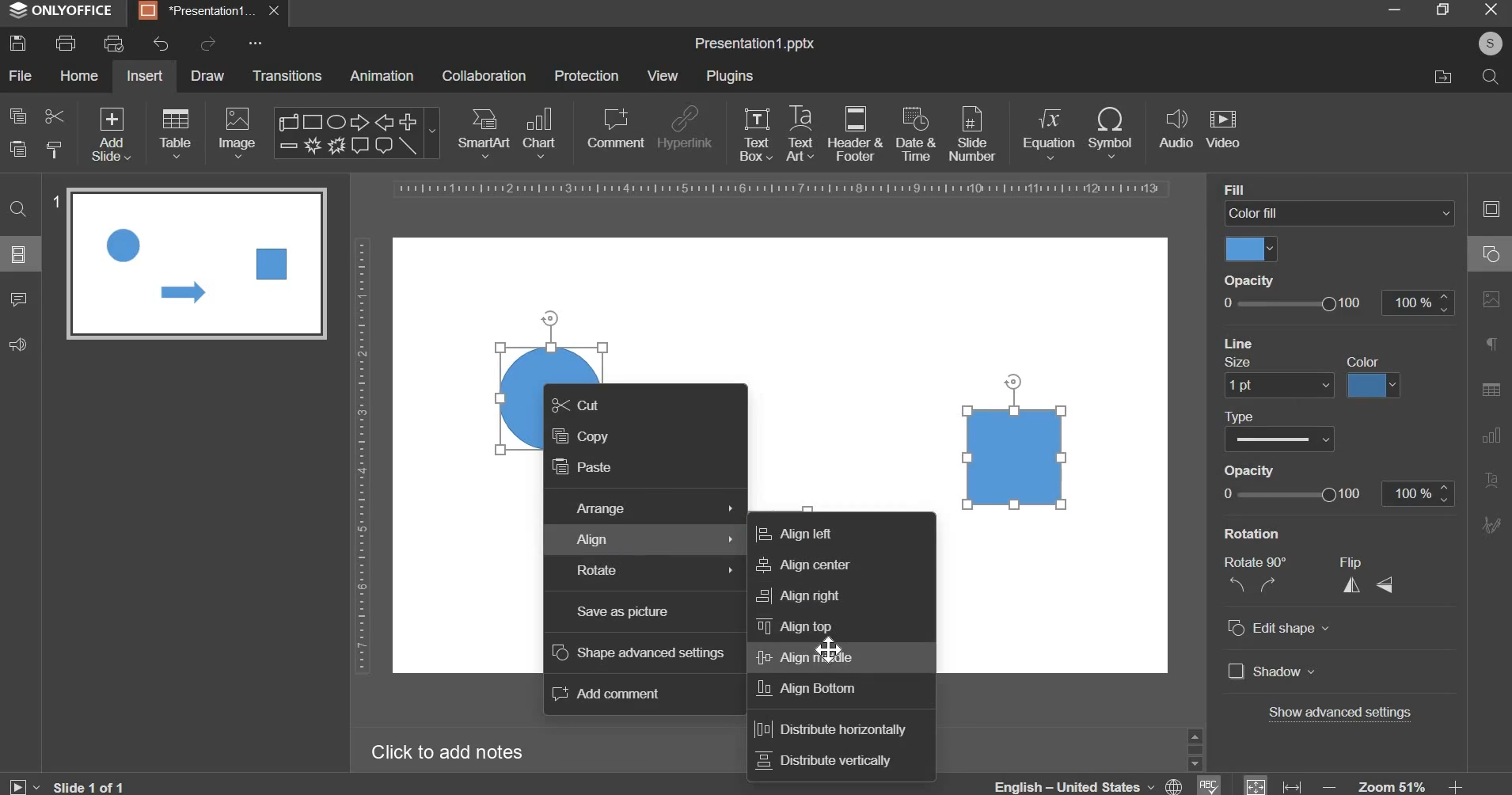  I want to click on edit shape, so click(1278, 629).